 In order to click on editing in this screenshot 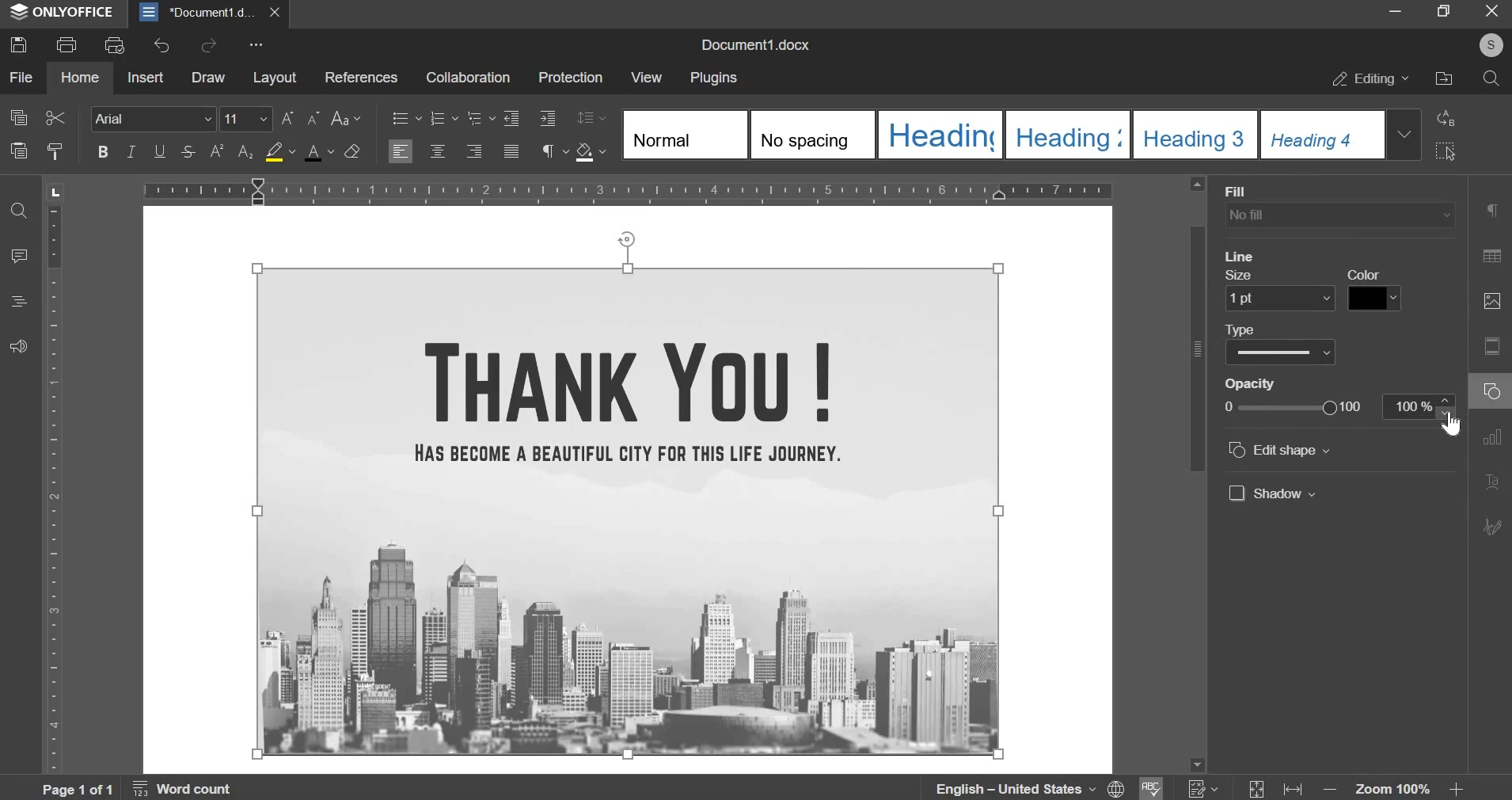, I will do `click(1370, 79)`.